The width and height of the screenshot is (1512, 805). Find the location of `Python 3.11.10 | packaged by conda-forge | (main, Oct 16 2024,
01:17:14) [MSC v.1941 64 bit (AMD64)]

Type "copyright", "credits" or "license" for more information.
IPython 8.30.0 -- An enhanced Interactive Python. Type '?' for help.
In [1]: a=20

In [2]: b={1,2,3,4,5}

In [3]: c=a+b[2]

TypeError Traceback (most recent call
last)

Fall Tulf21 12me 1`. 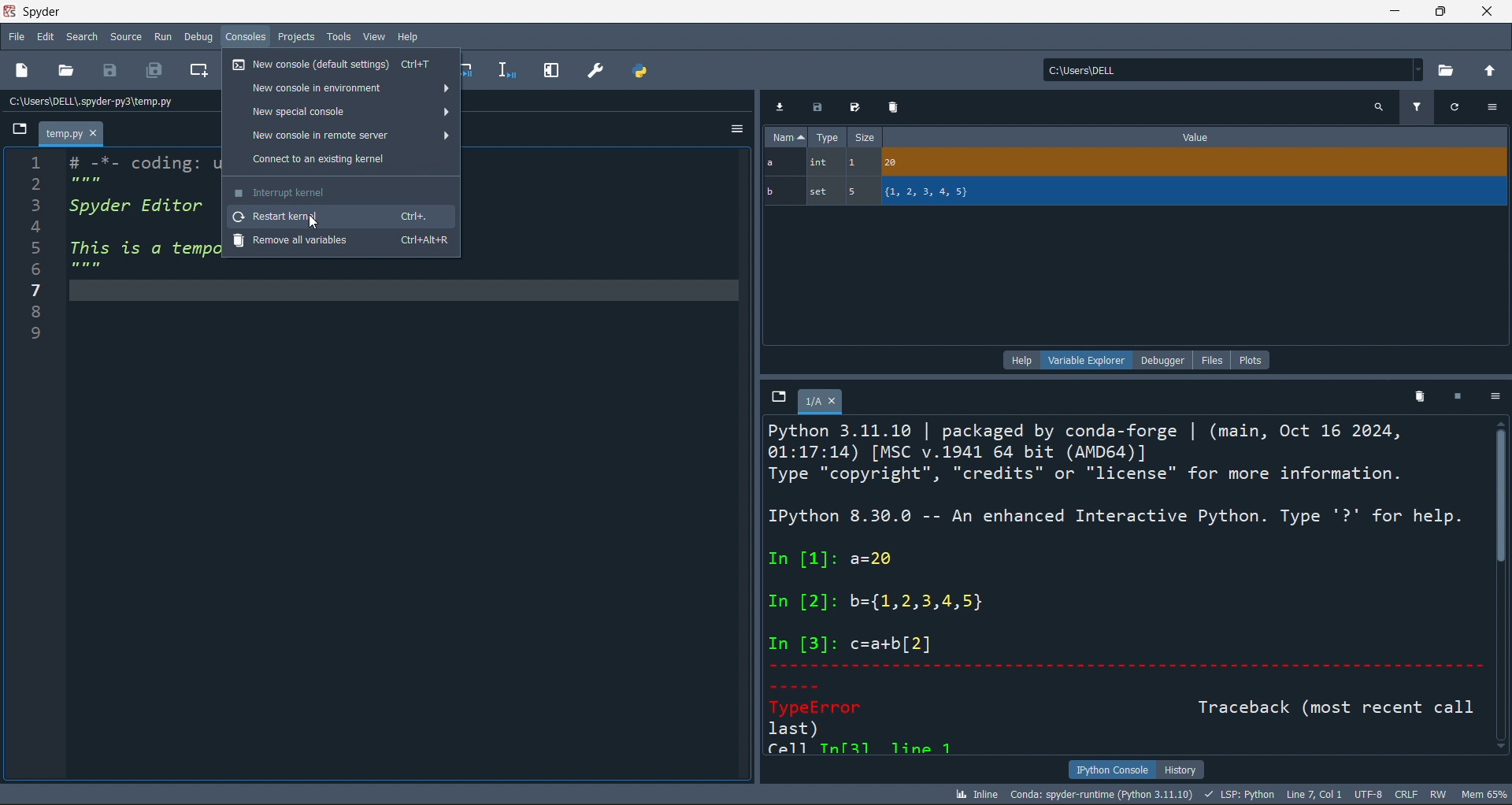

Python 3.11.10 | packaged by conda-forge | (main, Oct 16 2024,
01:17:14) [MSC v.1941 64 bit (AMD64)]

Type "copyright", "credits" or "license" for more information.
IPython 8.30.0 -- An enhanced Interactive Python. Type '?' for help.
In [1]: a=20

In [2]: b={1,2,3,4,5}

In [3]: c=a+b[2]

TypeError Traceback (most recent call
last)

Fall Tulf21 12me 1 is located at coordinates (1114, 586).